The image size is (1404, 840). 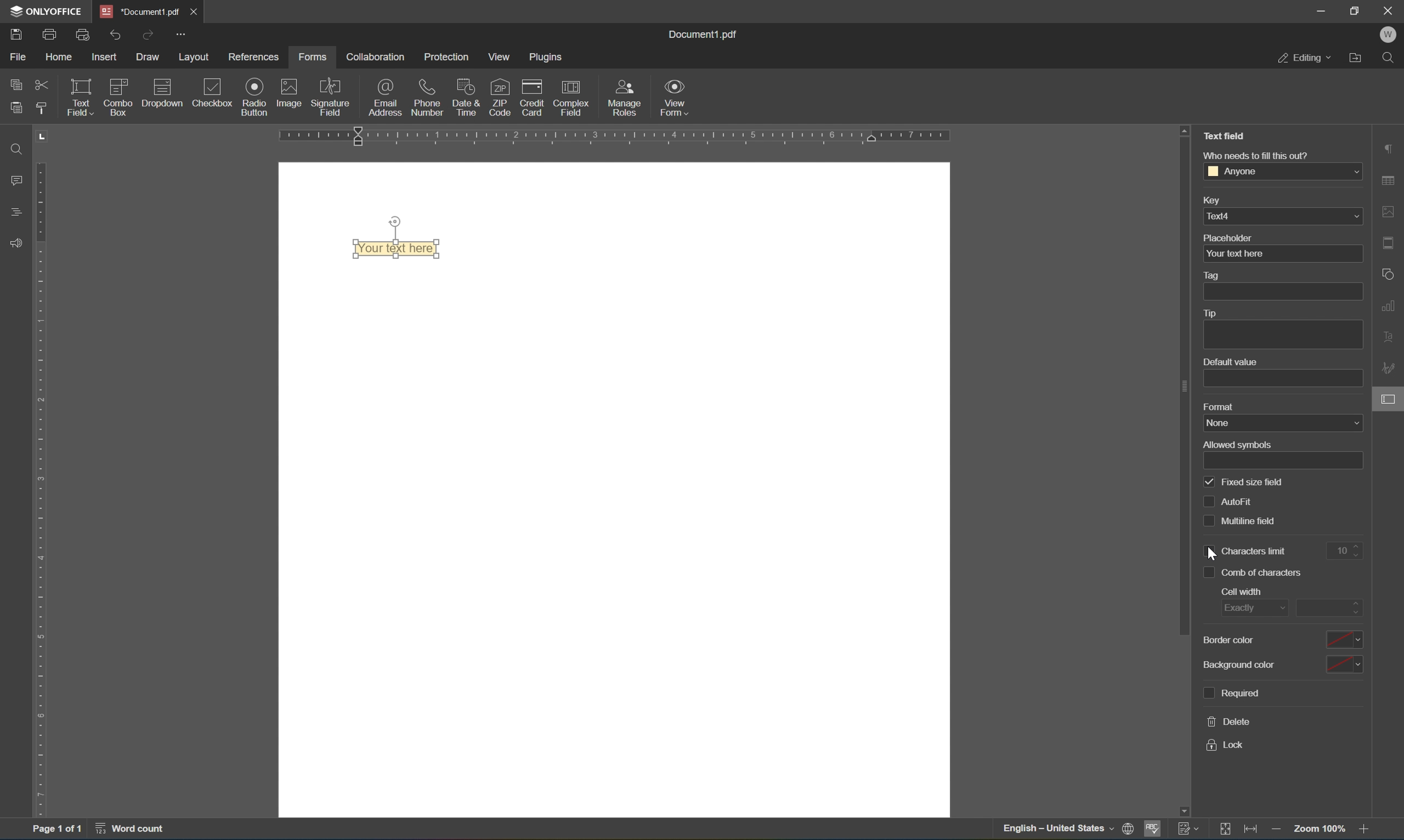 What do you see at coordinates (20, 57) in the screenshot?
I see `file` at bounding box center [20, 57].